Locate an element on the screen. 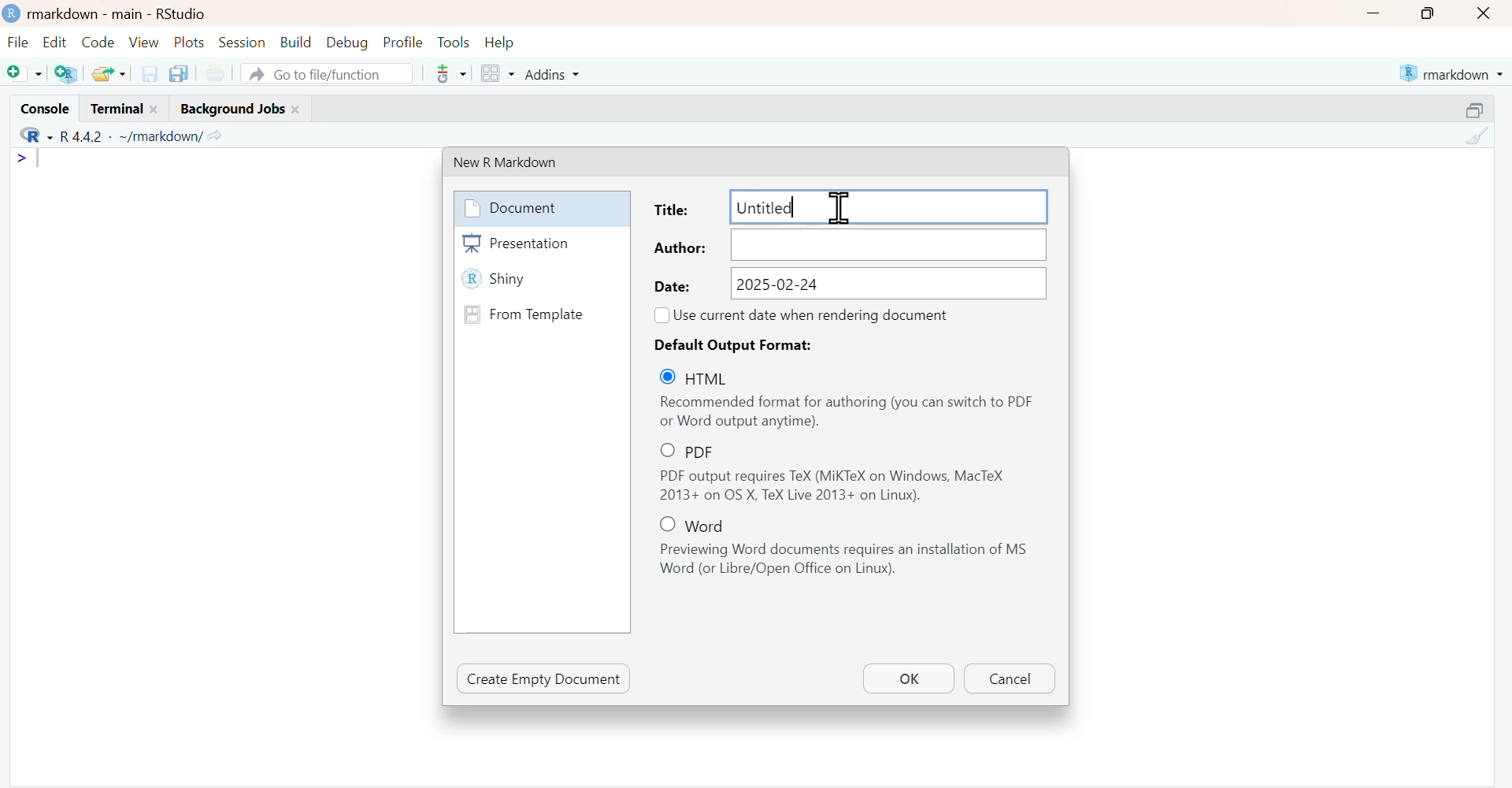 This screenshot has width=1512, height=788. Create a project is located at coordinates (66, 72).